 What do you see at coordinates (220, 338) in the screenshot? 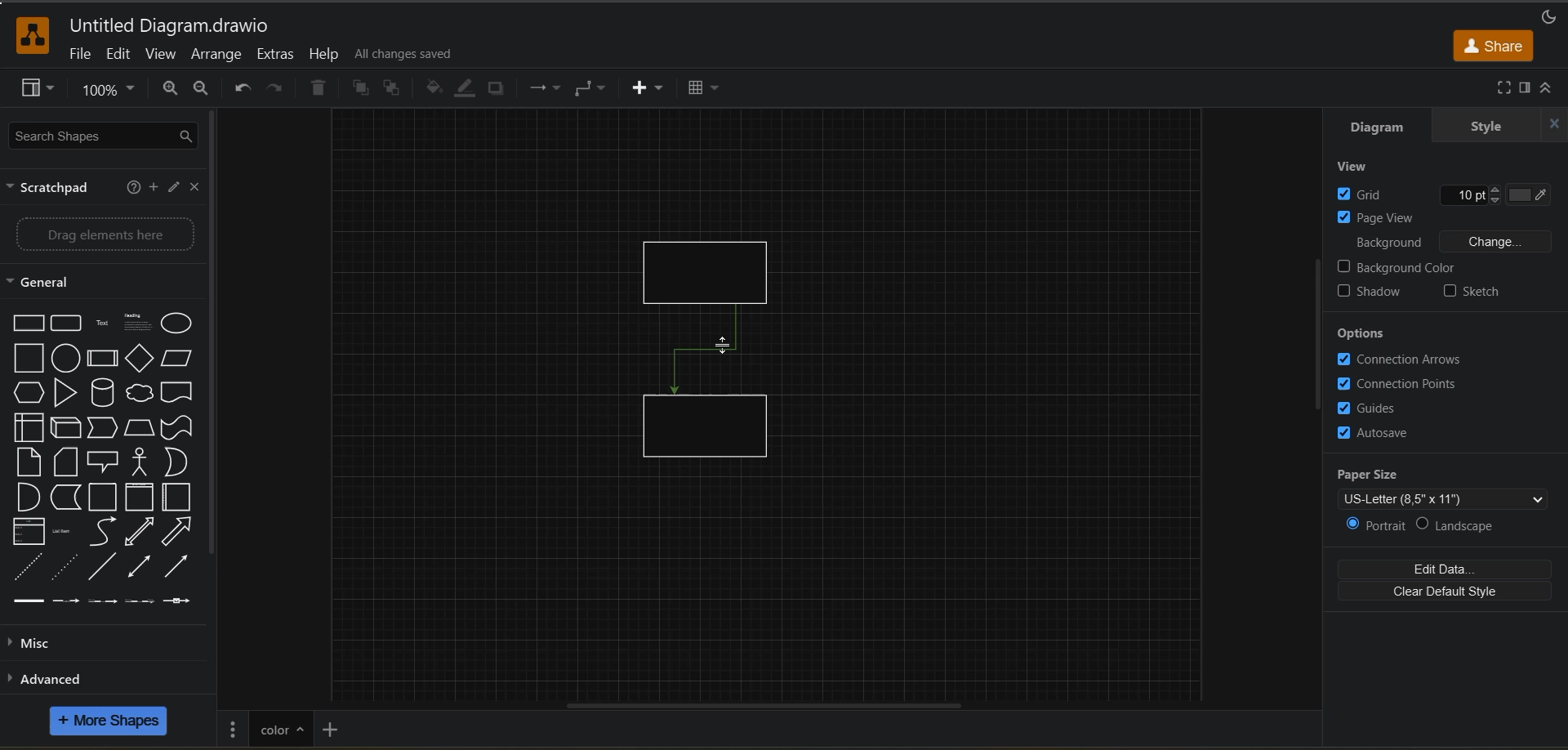
I see `vertical scroll bar` at bounding box center [220, 338].